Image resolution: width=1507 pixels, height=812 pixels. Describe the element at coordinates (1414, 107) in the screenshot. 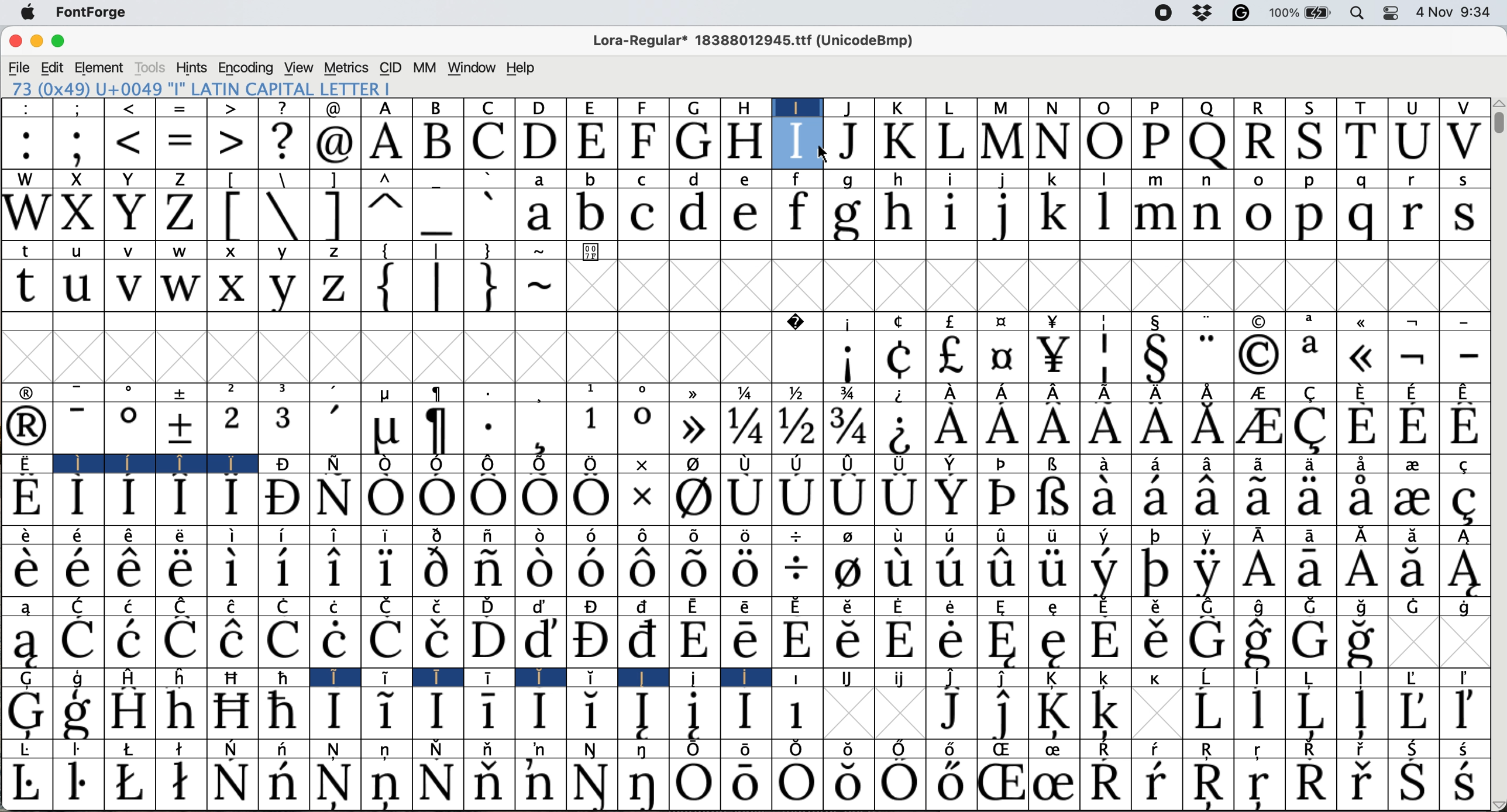

I see `U` at that location.